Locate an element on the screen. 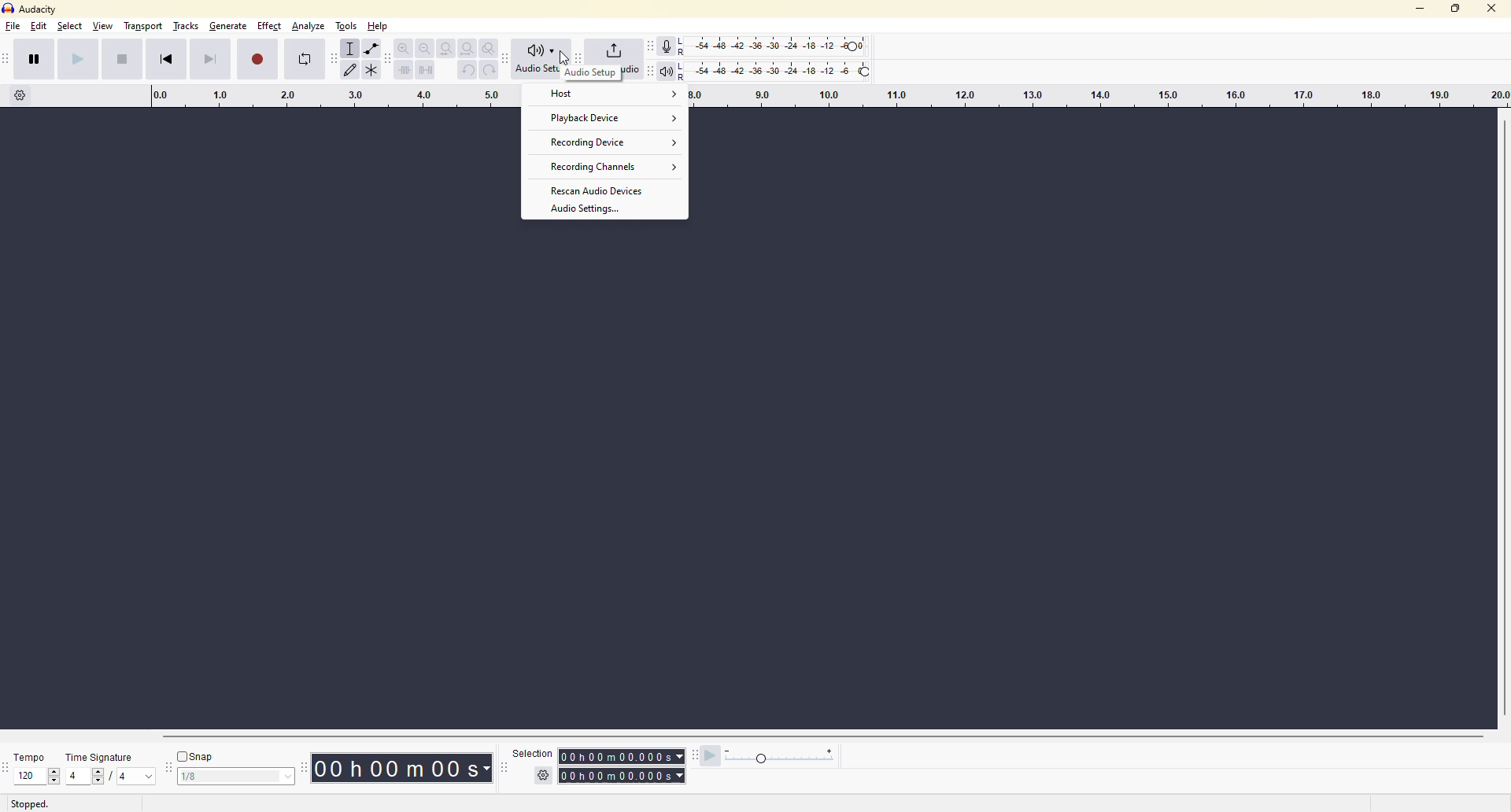 This screenshot has height=812, width=1511. snap toolbar is located at coordinates (158, 755).